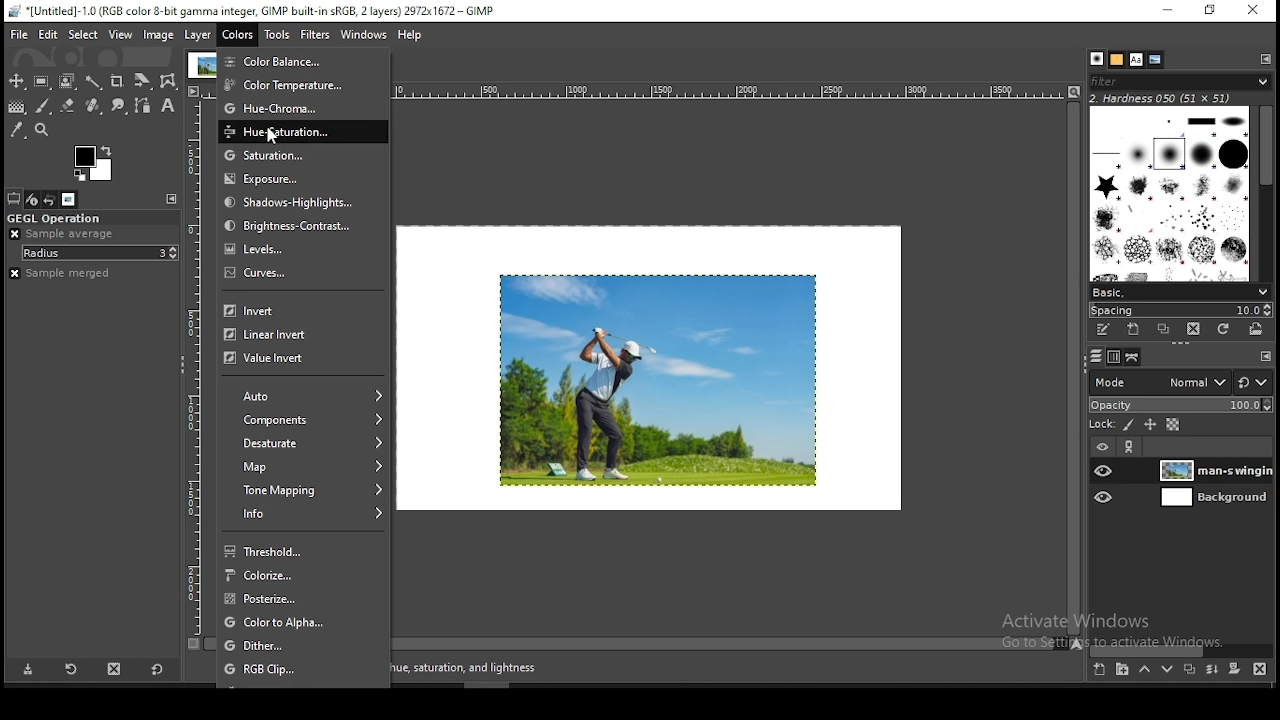 The height and width of the screenshot is (720, 1280). I want to click on *[untitled]-1.0 (rgb color 8-bit gamma integer, Gimp built in sRGB, 2 layers) 2972x1672 - gimp, so click(252, 12).